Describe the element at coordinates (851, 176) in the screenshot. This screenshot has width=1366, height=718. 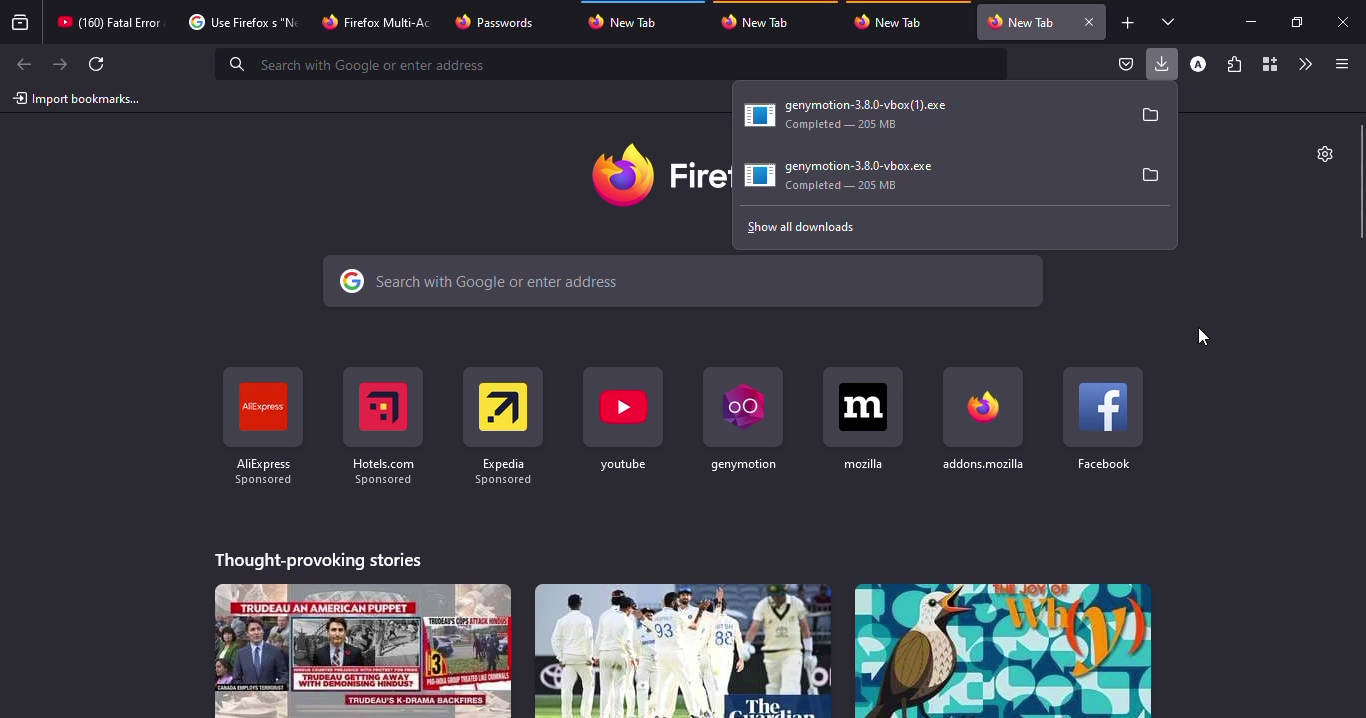
I see `download` at that location.